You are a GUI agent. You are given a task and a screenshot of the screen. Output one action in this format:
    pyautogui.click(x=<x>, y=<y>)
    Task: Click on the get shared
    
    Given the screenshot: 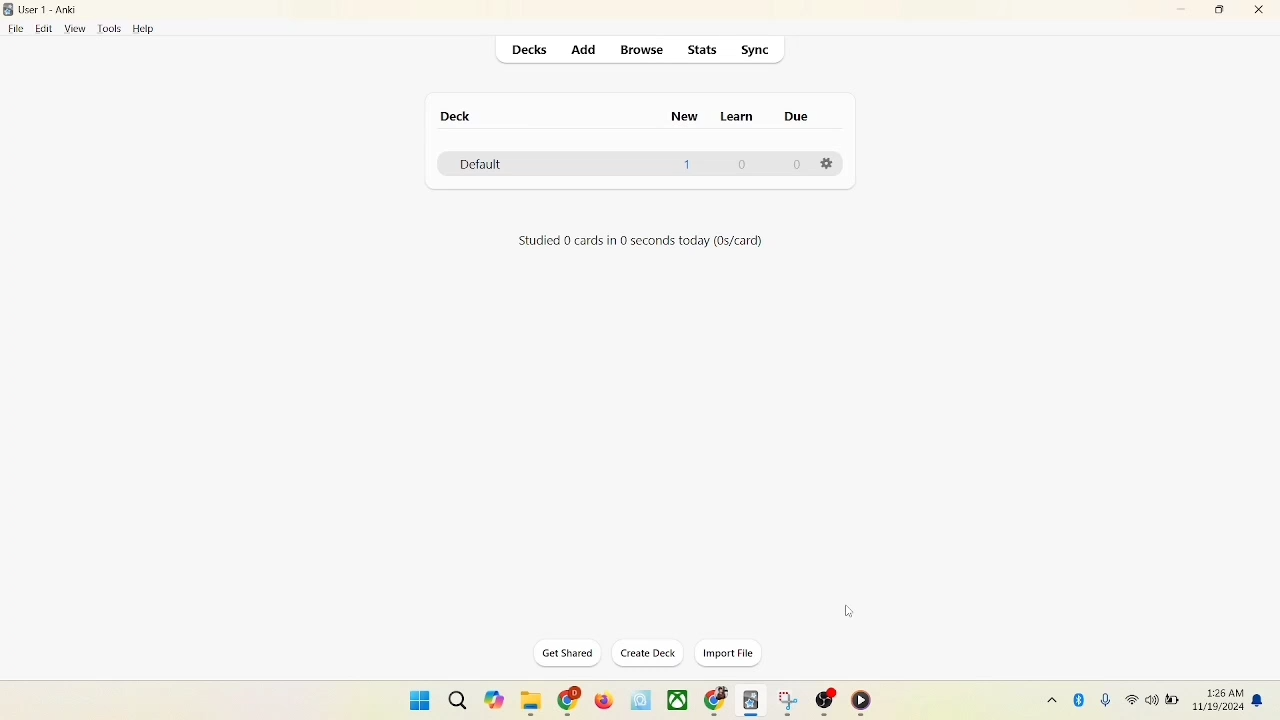 What is the action you would take?
    pyautogui.click(x=561, y=653)
    